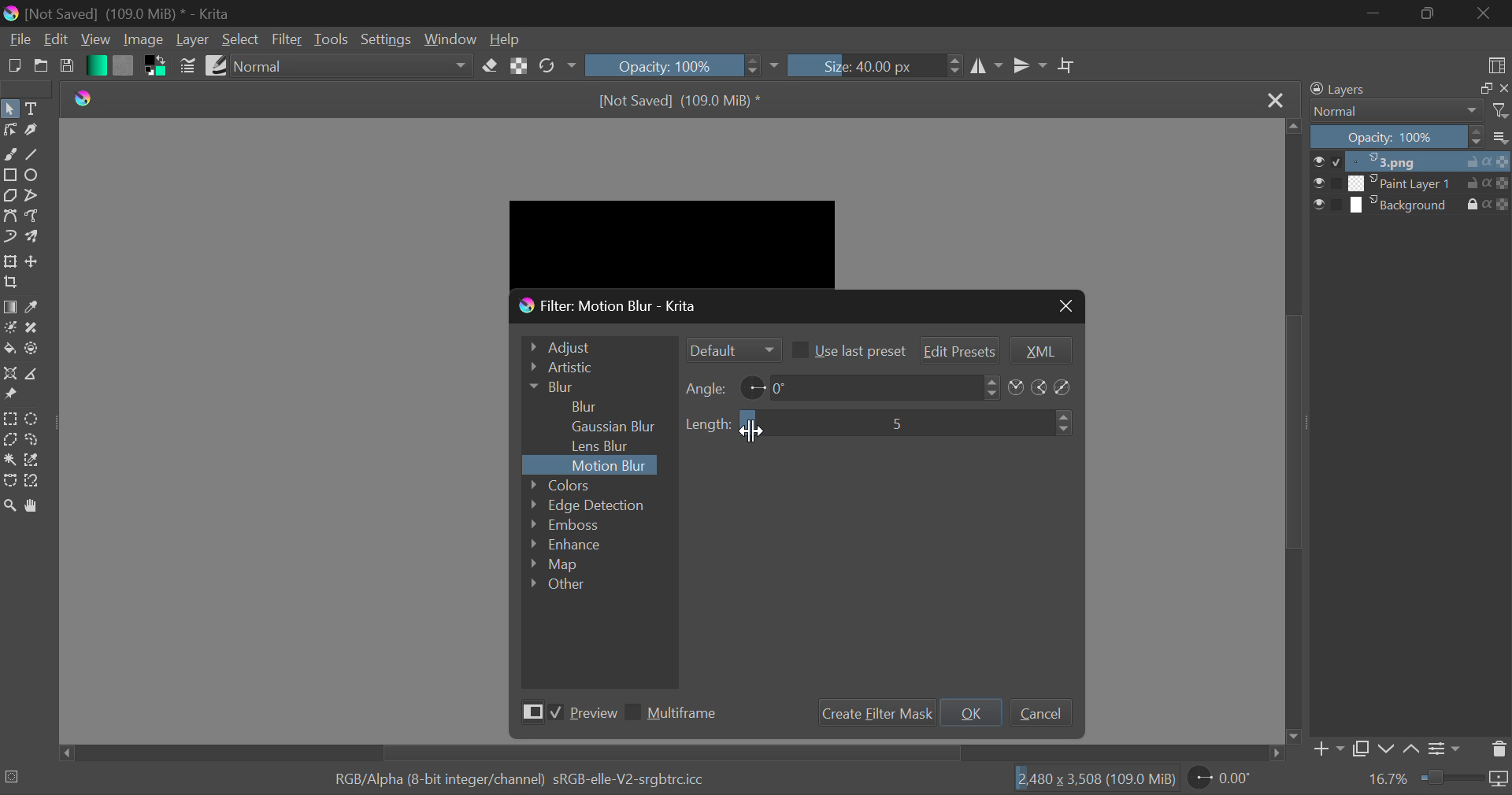  Describe the element at coordinates (9, 327) in the screenshot. I see `Colorize Mask Tool` at that location.